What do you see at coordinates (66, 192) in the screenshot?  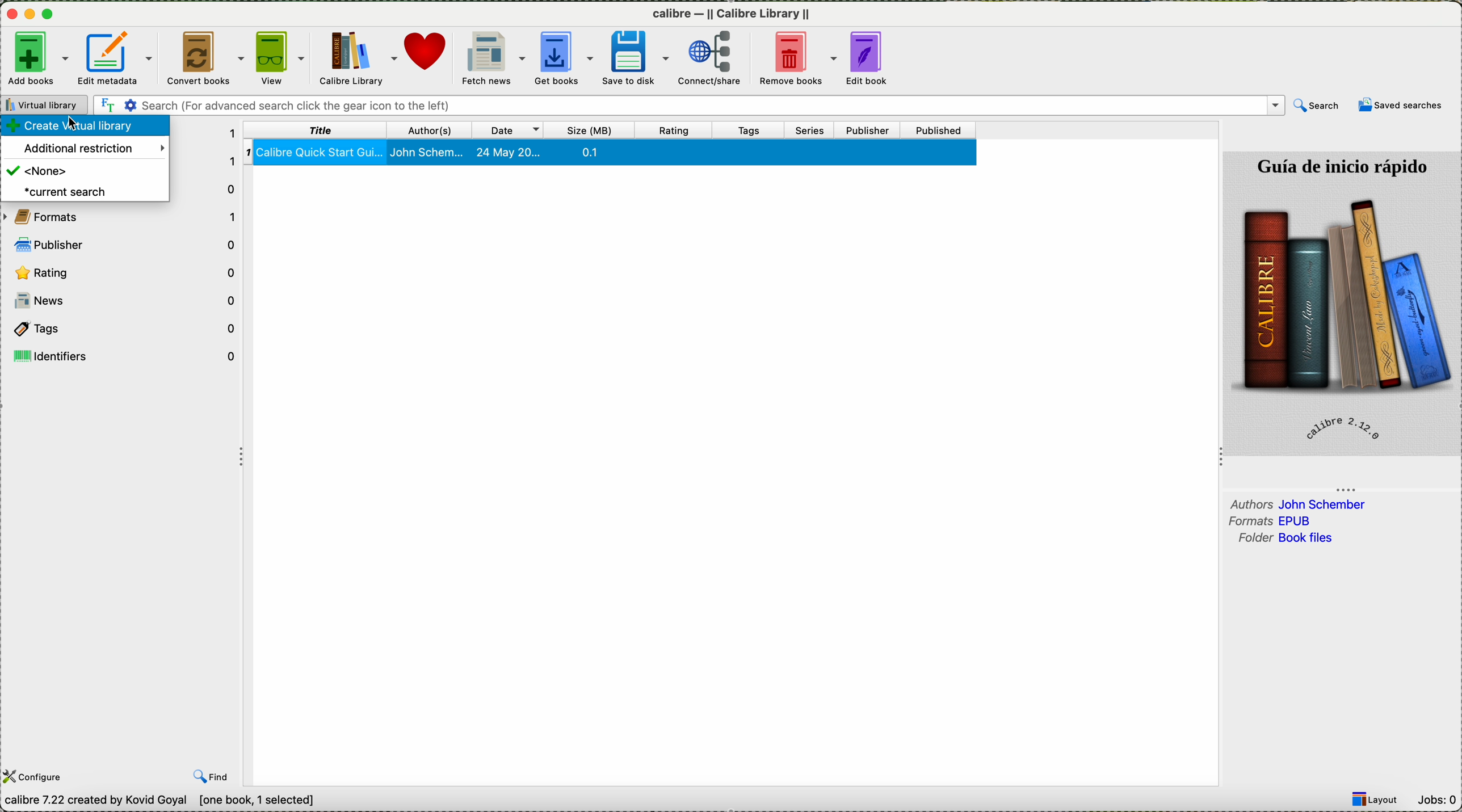 I see `*current search` at bounding box center [66, 192].